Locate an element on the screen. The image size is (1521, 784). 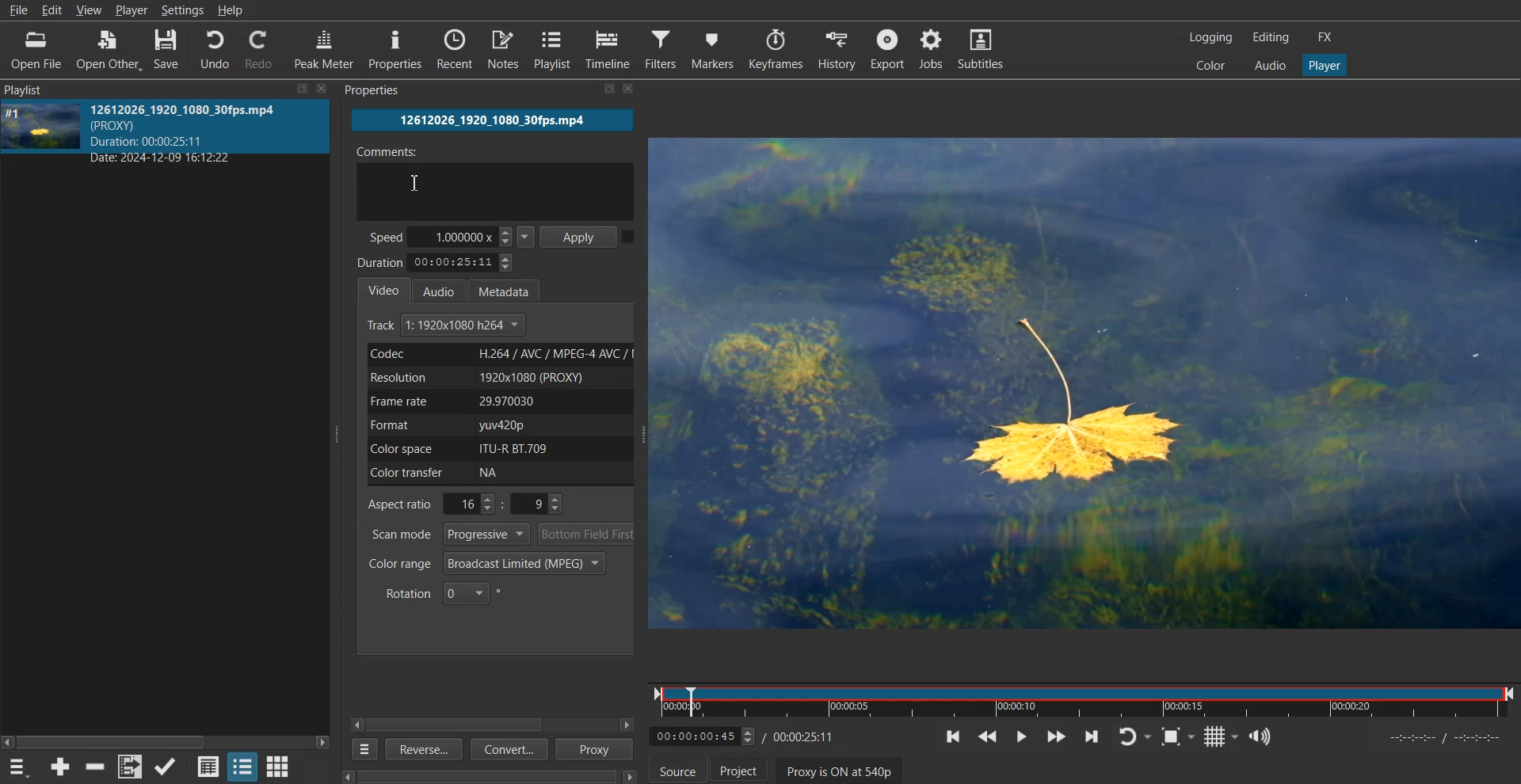
Skip to the previous point is located at coordinates (954, 736).